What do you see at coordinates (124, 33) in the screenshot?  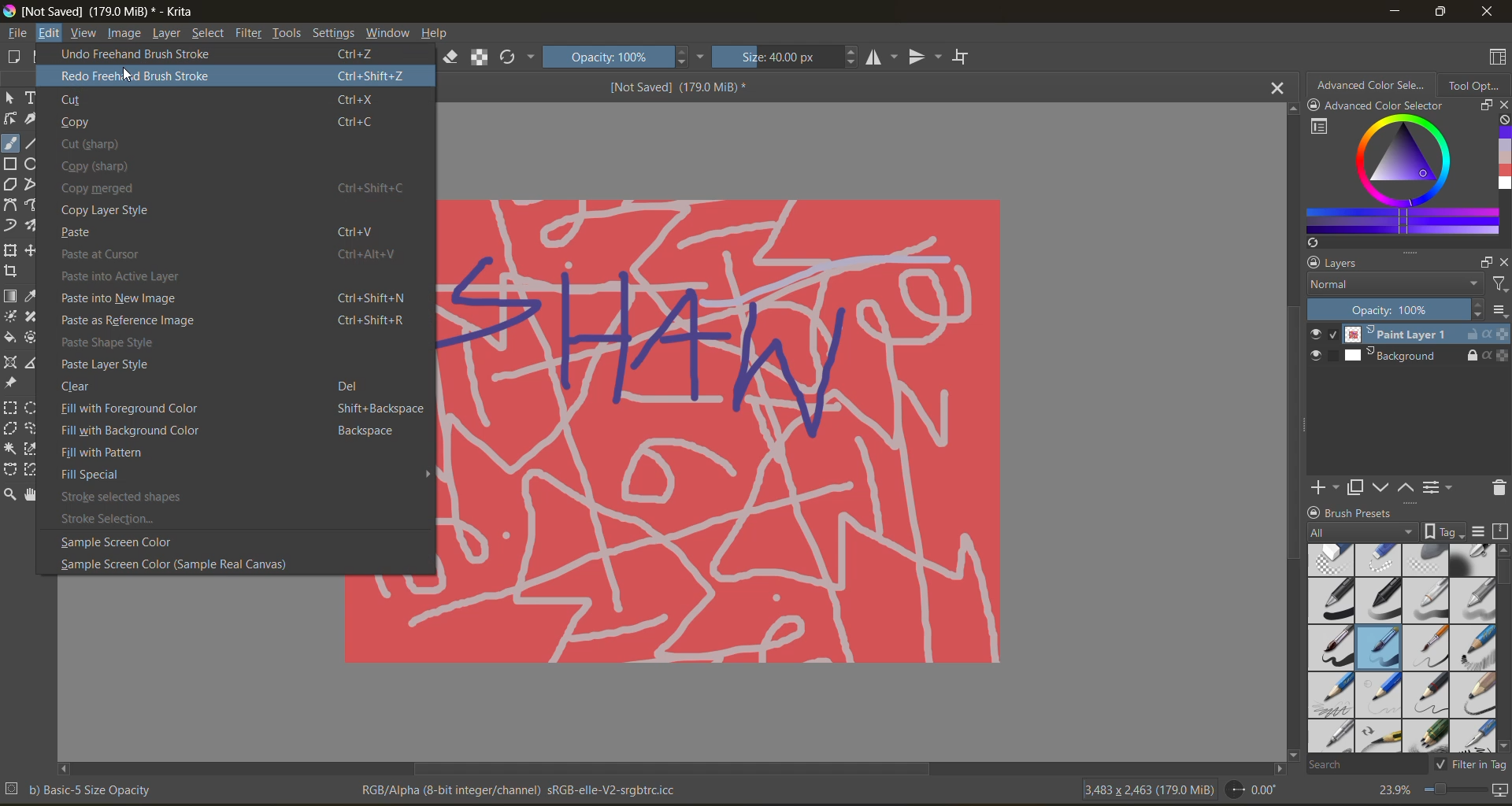 I see `image` at bounding box center [124, 33].